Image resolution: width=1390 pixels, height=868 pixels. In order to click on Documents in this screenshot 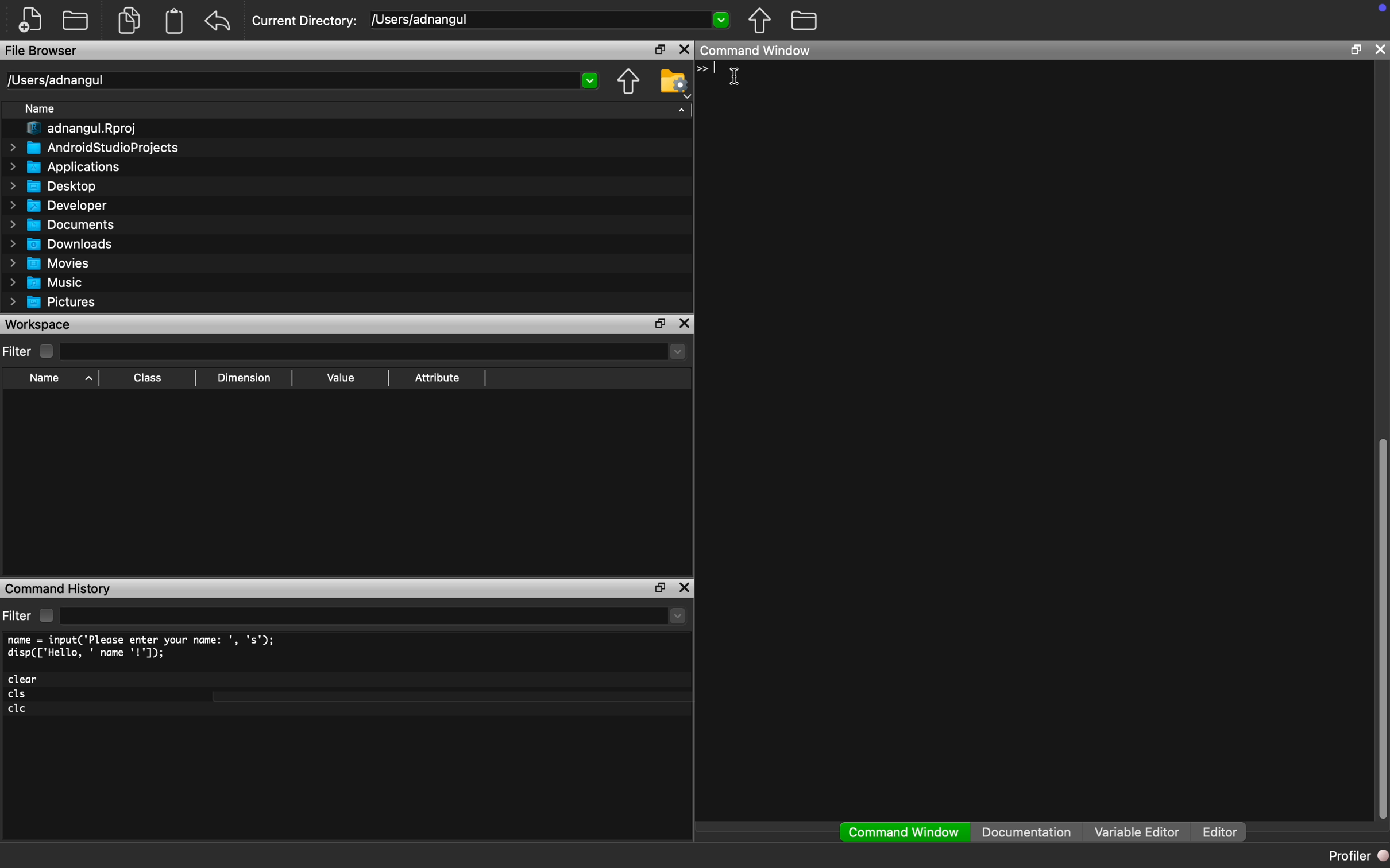, I will do `click(65, 224)`.